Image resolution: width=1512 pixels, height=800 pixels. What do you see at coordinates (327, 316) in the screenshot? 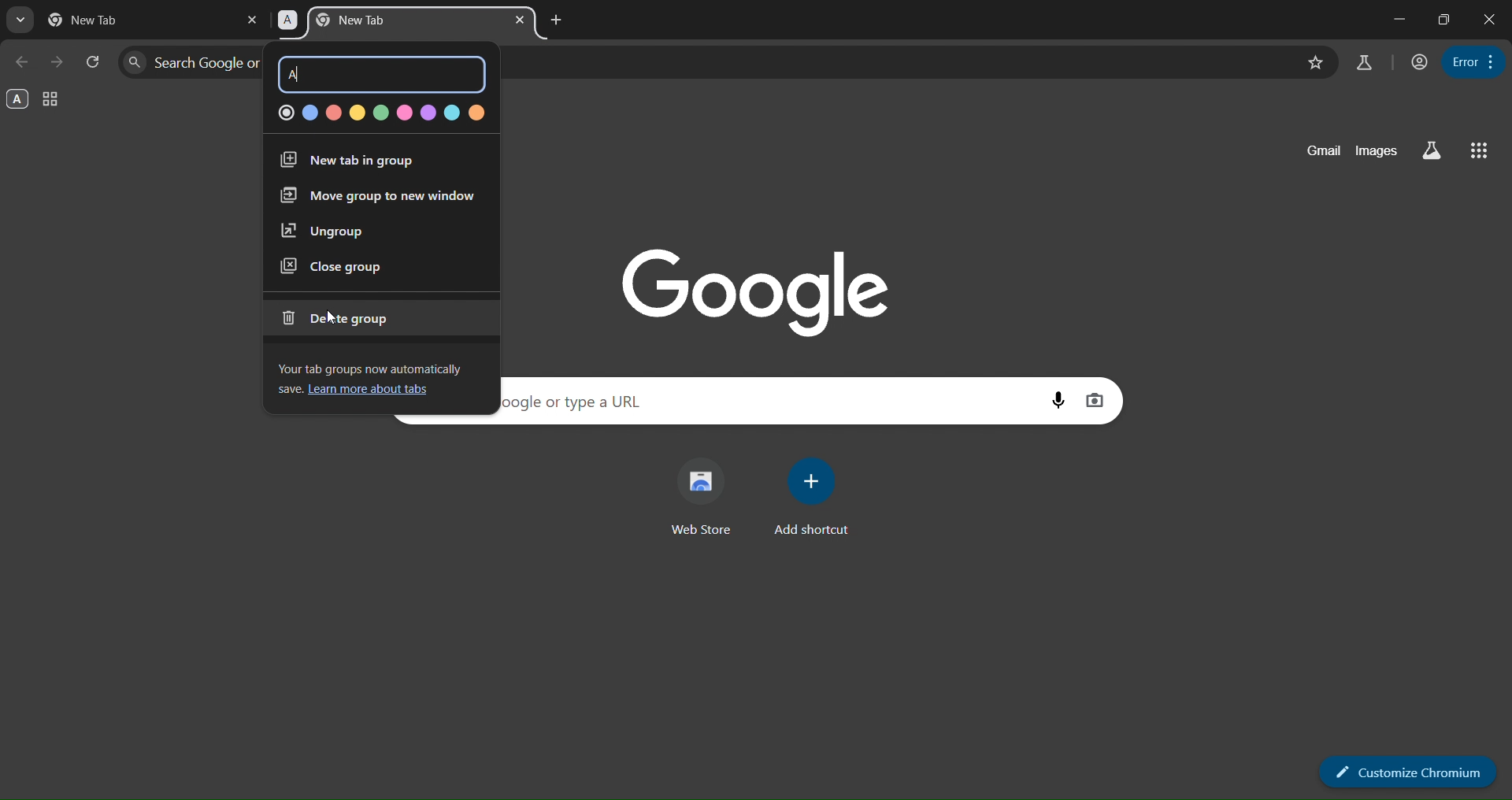
I see `cursor` at bounding box center [327, 316].